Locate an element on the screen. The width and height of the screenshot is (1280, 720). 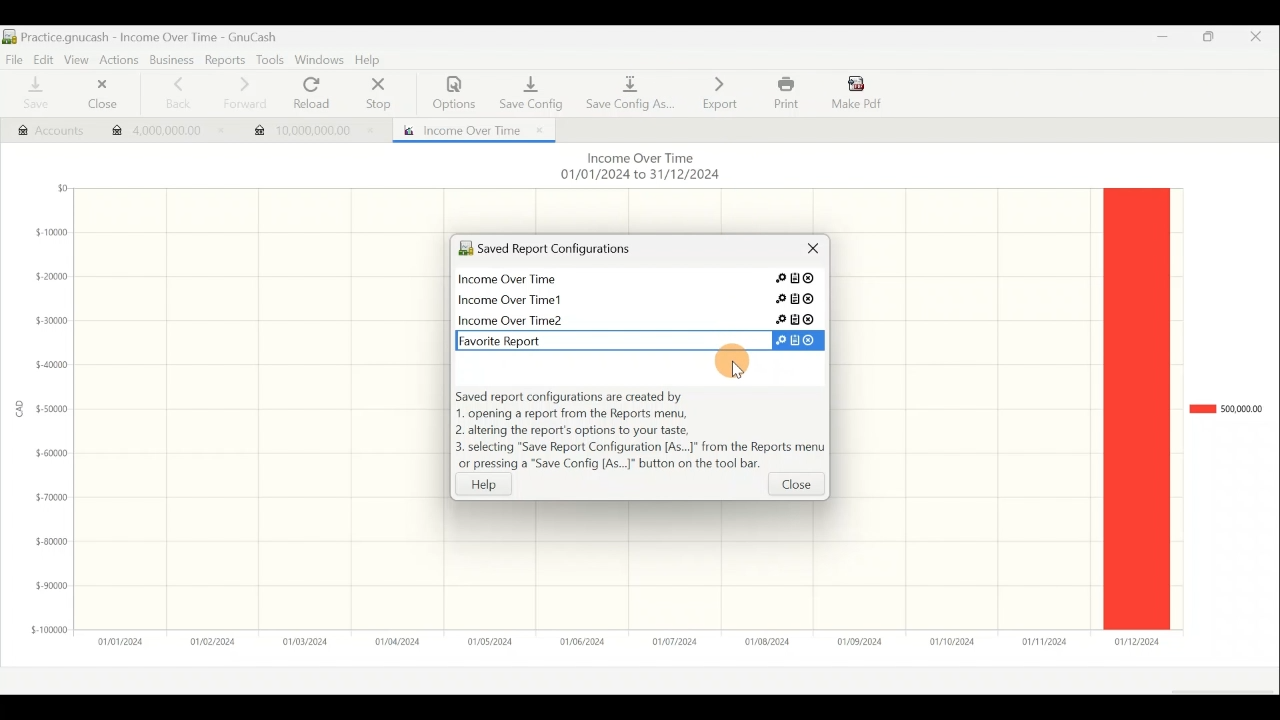
Export is located at coordinates (720, 92).